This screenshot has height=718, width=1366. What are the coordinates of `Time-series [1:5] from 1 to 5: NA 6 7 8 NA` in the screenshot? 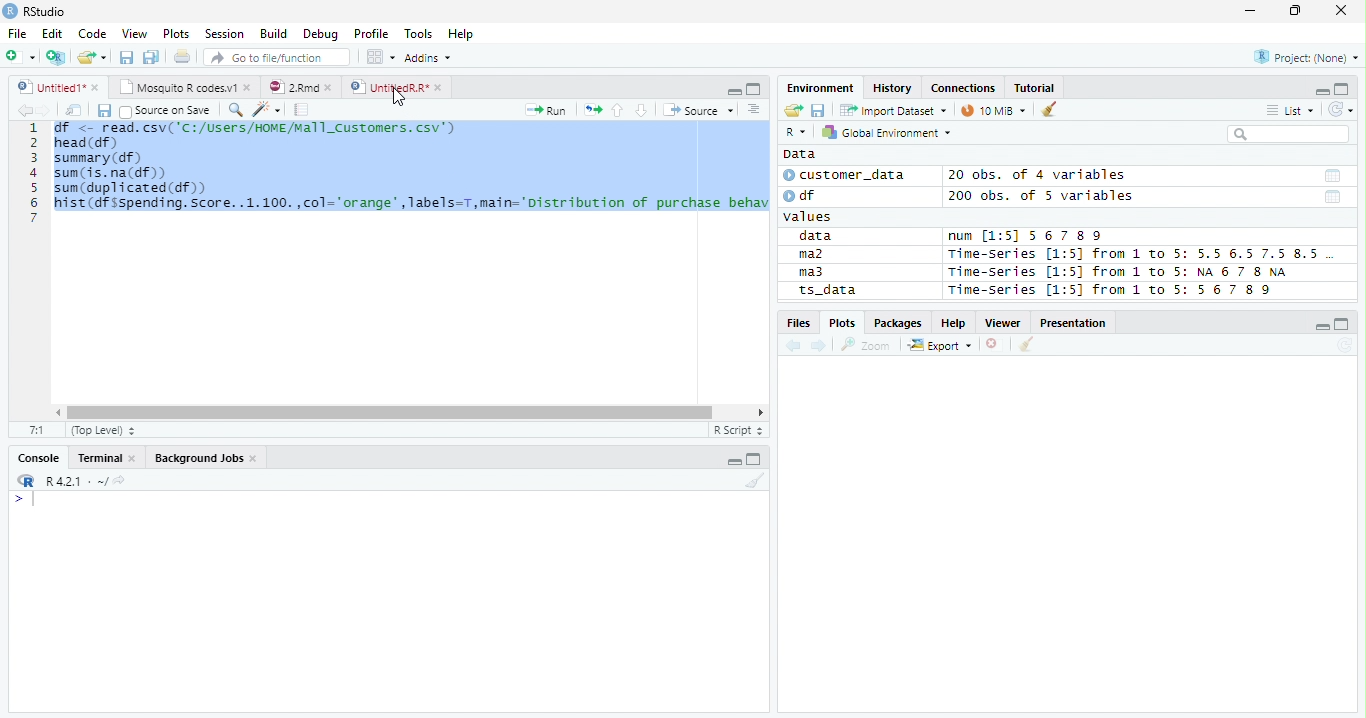 It's located at (1126, 273).